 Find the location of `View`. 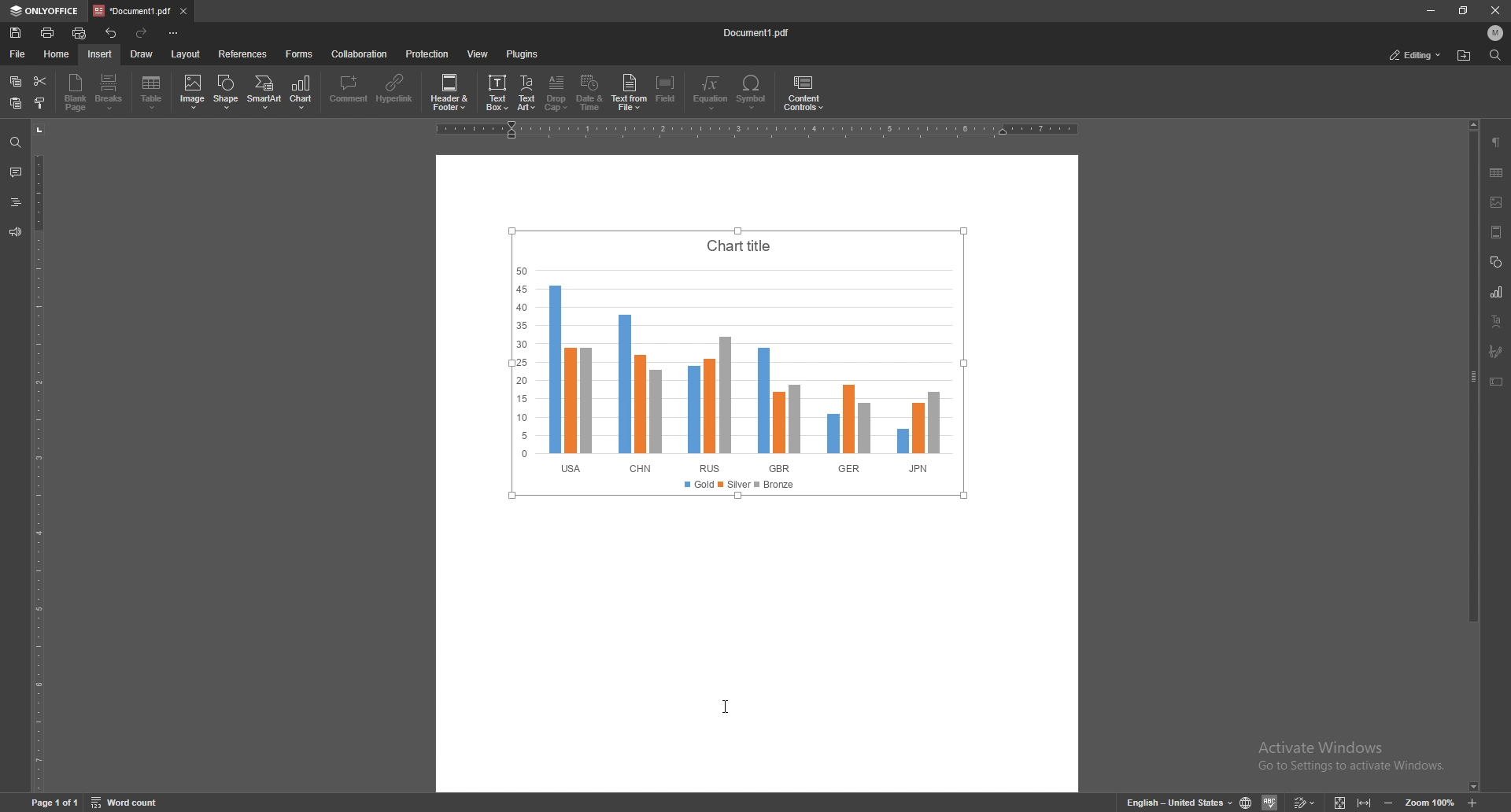

View is located at coordinates (1337, 803).